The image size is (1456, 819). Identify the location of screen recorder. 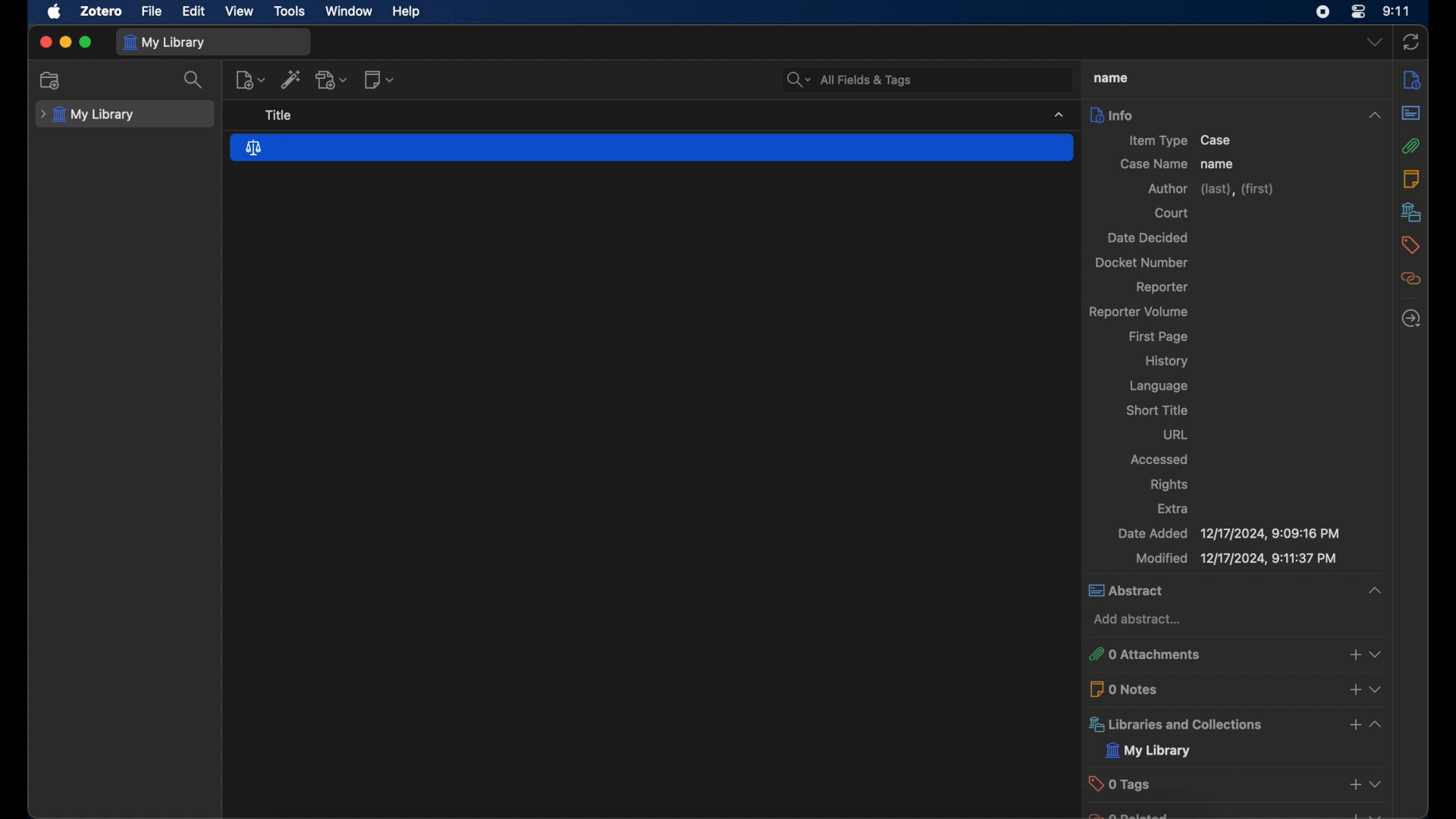
(1323, 12).